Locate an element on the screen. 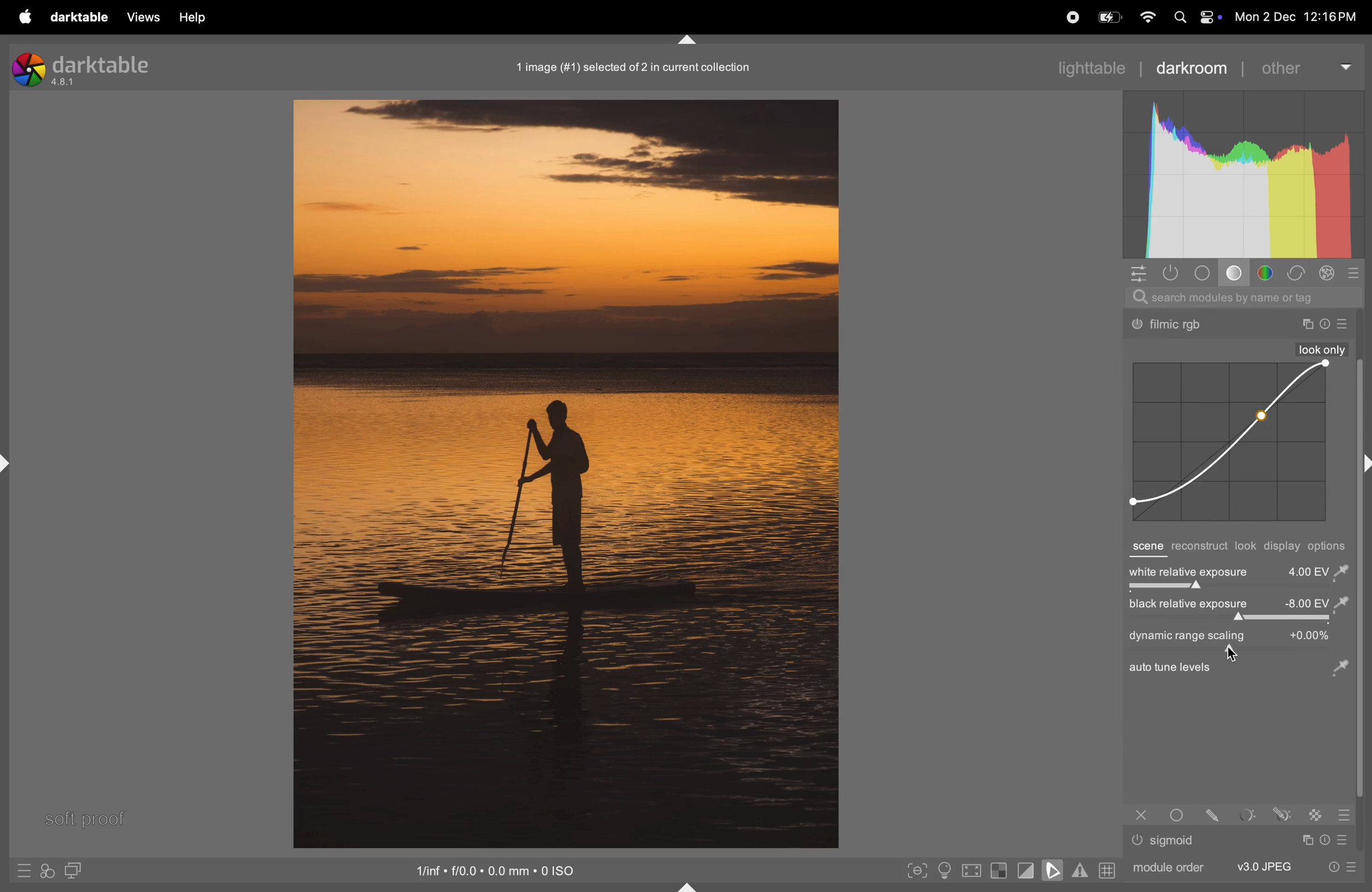 The height and width of the screenshot is (892, 1372). darktable is located at coordinates (78, 18).